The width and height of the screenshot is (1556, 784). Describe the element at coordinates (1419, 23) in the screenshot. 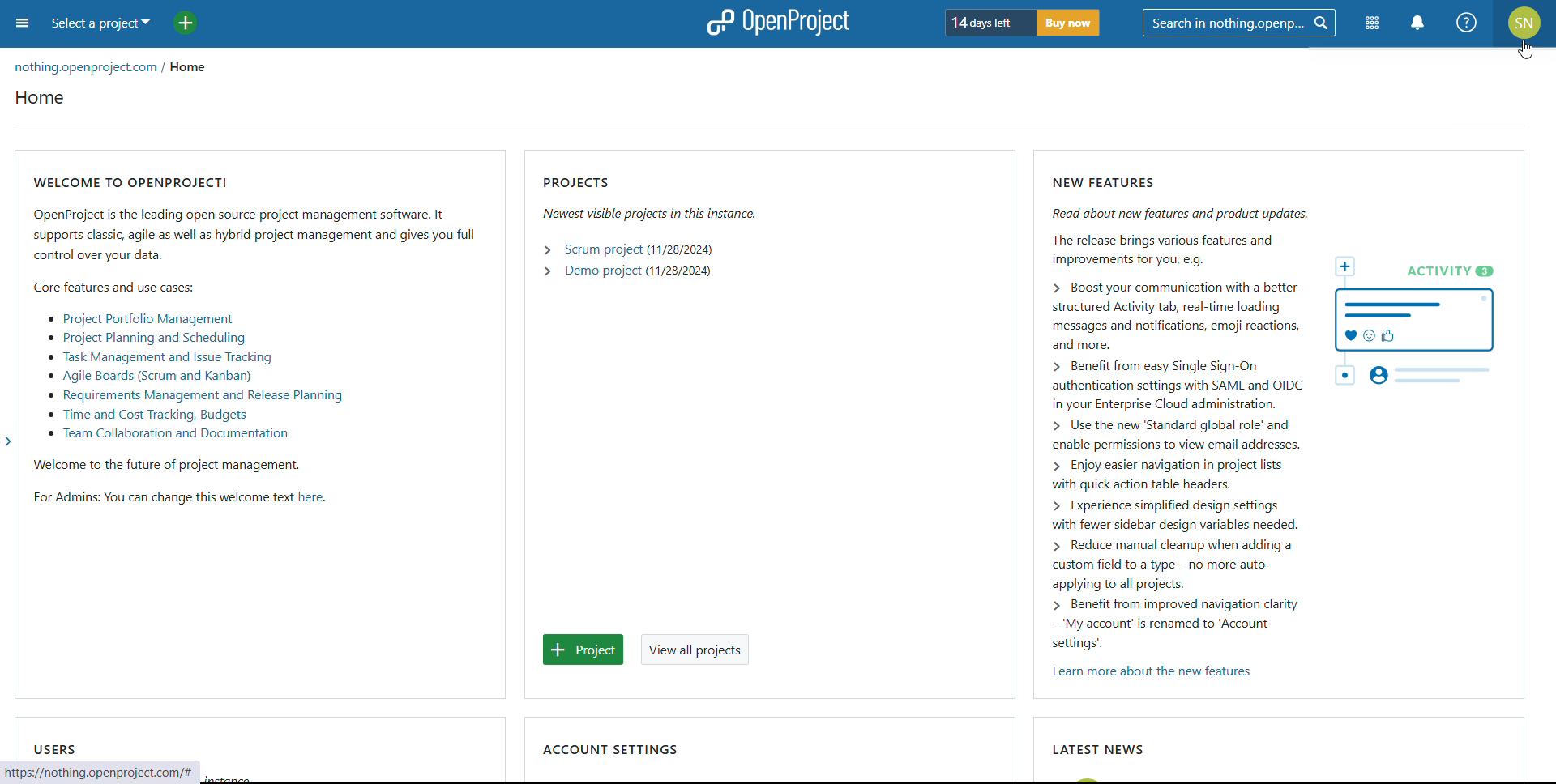

I see `notifications` at that location.